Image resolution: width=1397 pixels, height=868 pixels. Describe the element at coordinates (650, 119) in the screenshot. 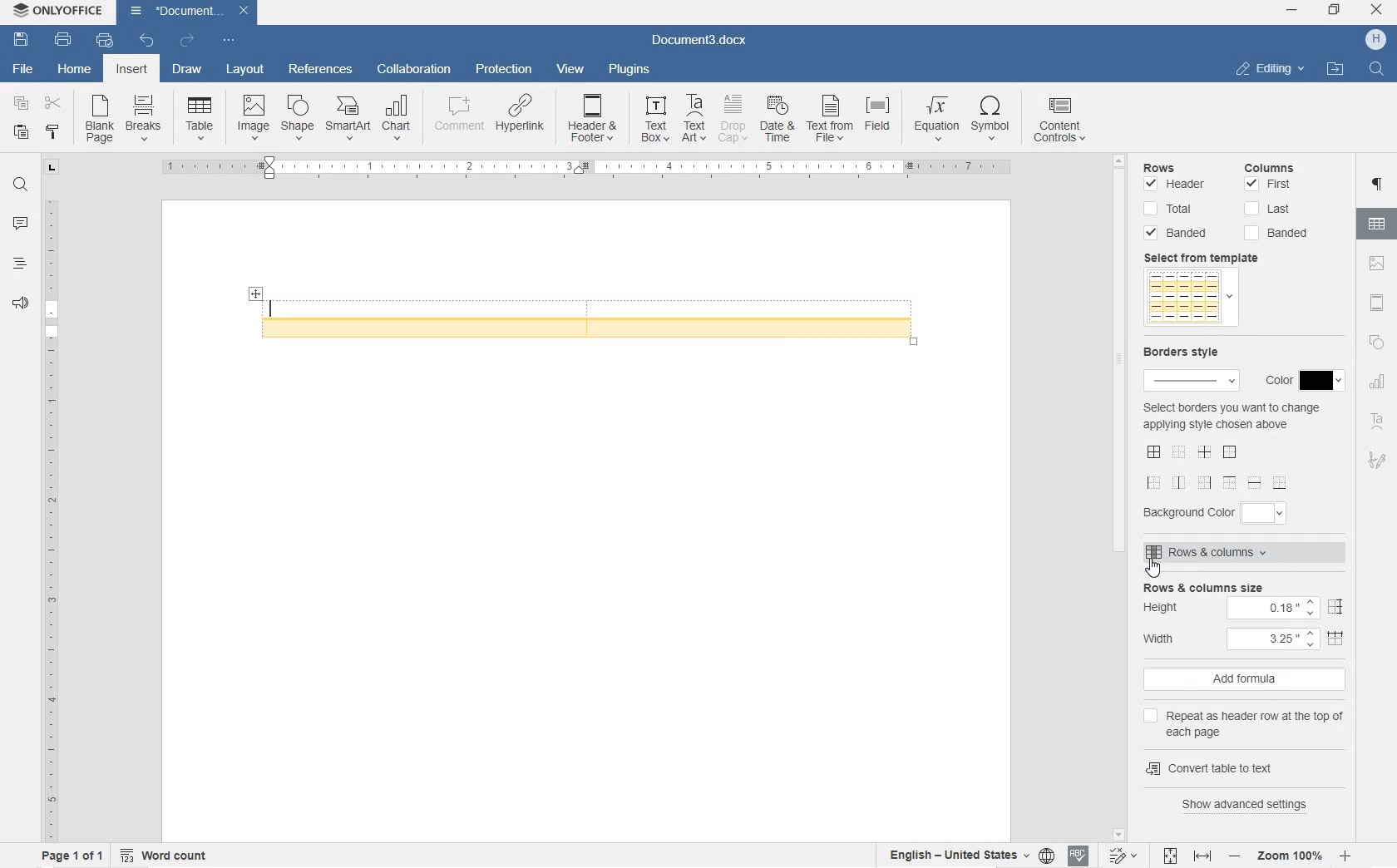

I see `TextBox` at that location.